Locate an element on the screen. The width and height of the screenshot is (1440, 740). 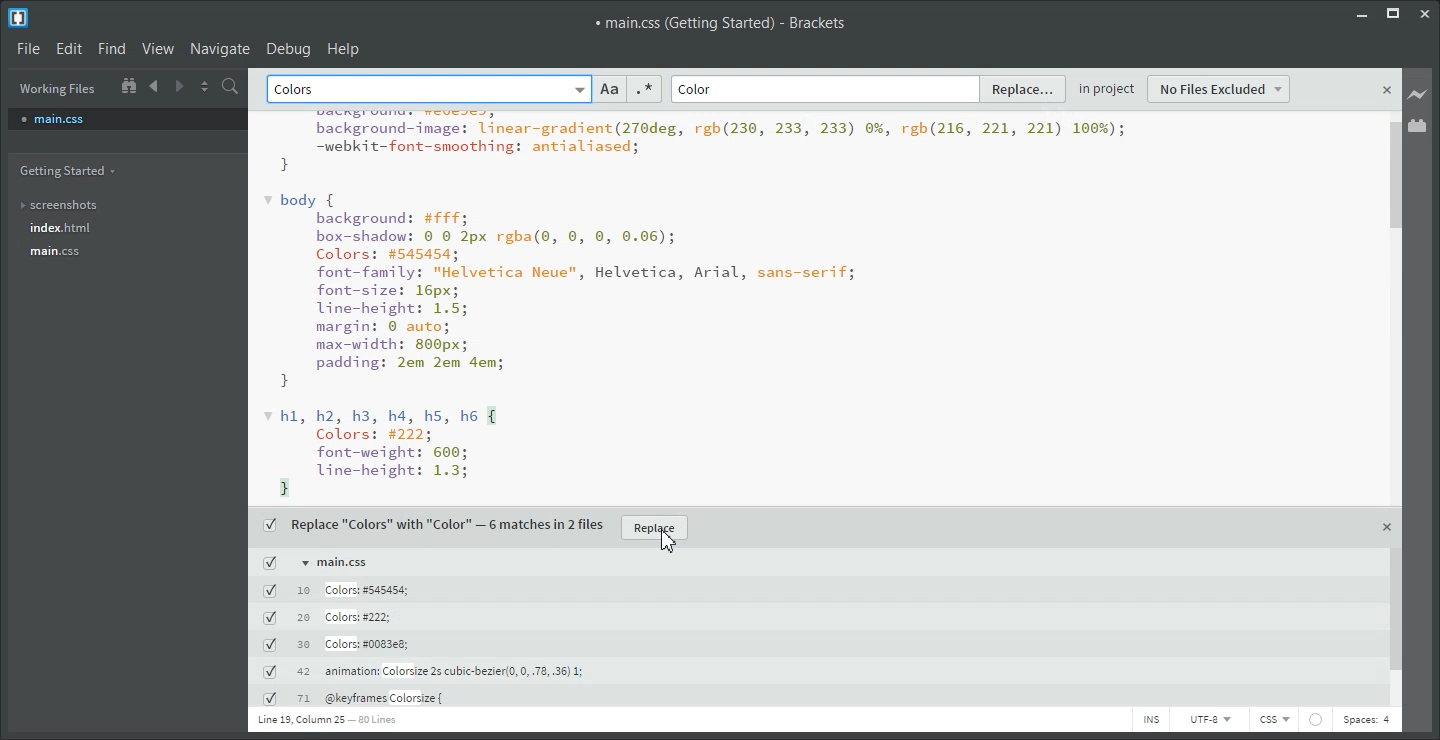
Logo is located at coordinates (20, 17).